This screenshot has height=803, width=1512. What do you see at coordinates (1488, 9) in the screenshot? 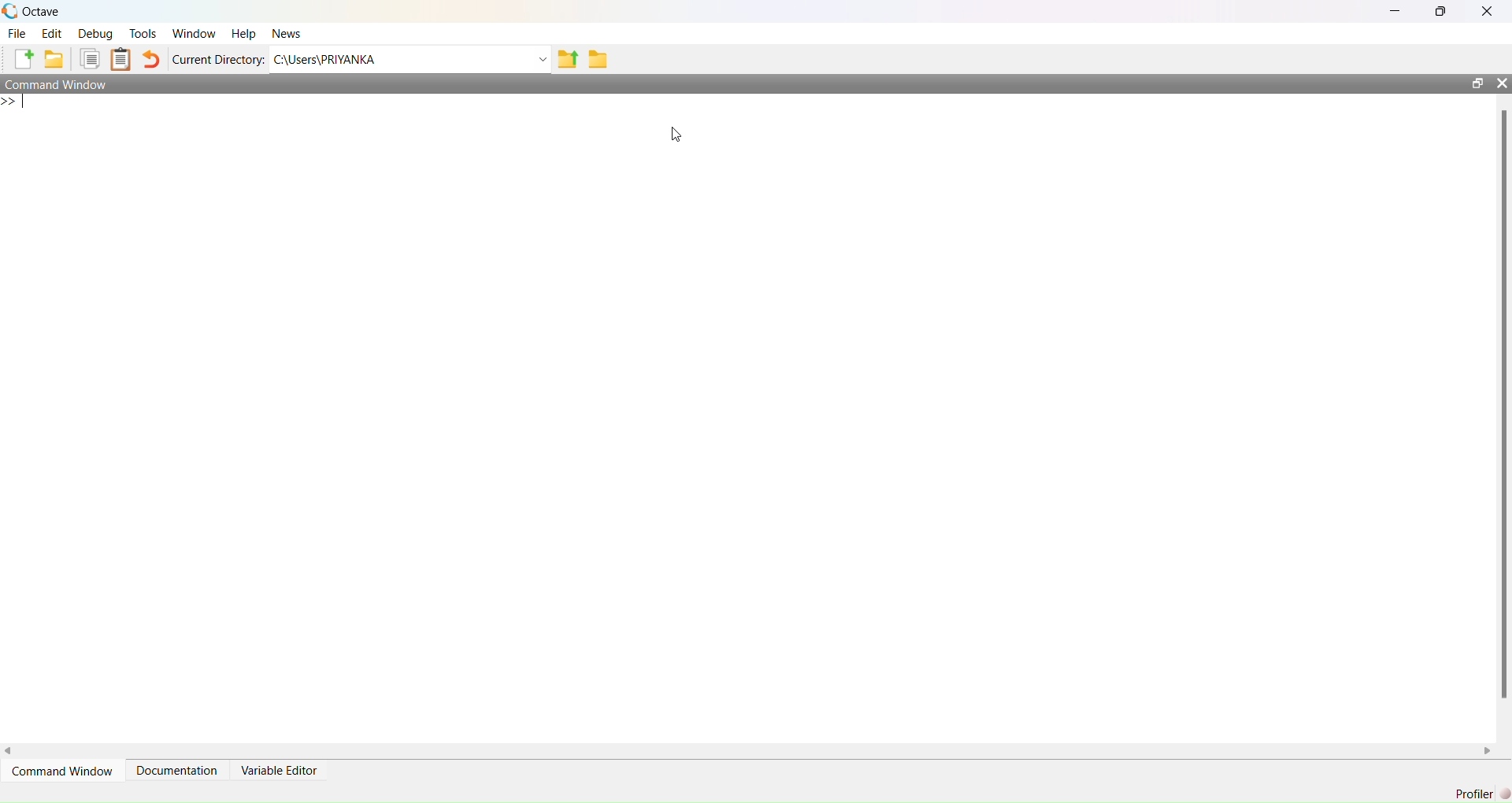
I see `close` at bounding box center [1488, 9].